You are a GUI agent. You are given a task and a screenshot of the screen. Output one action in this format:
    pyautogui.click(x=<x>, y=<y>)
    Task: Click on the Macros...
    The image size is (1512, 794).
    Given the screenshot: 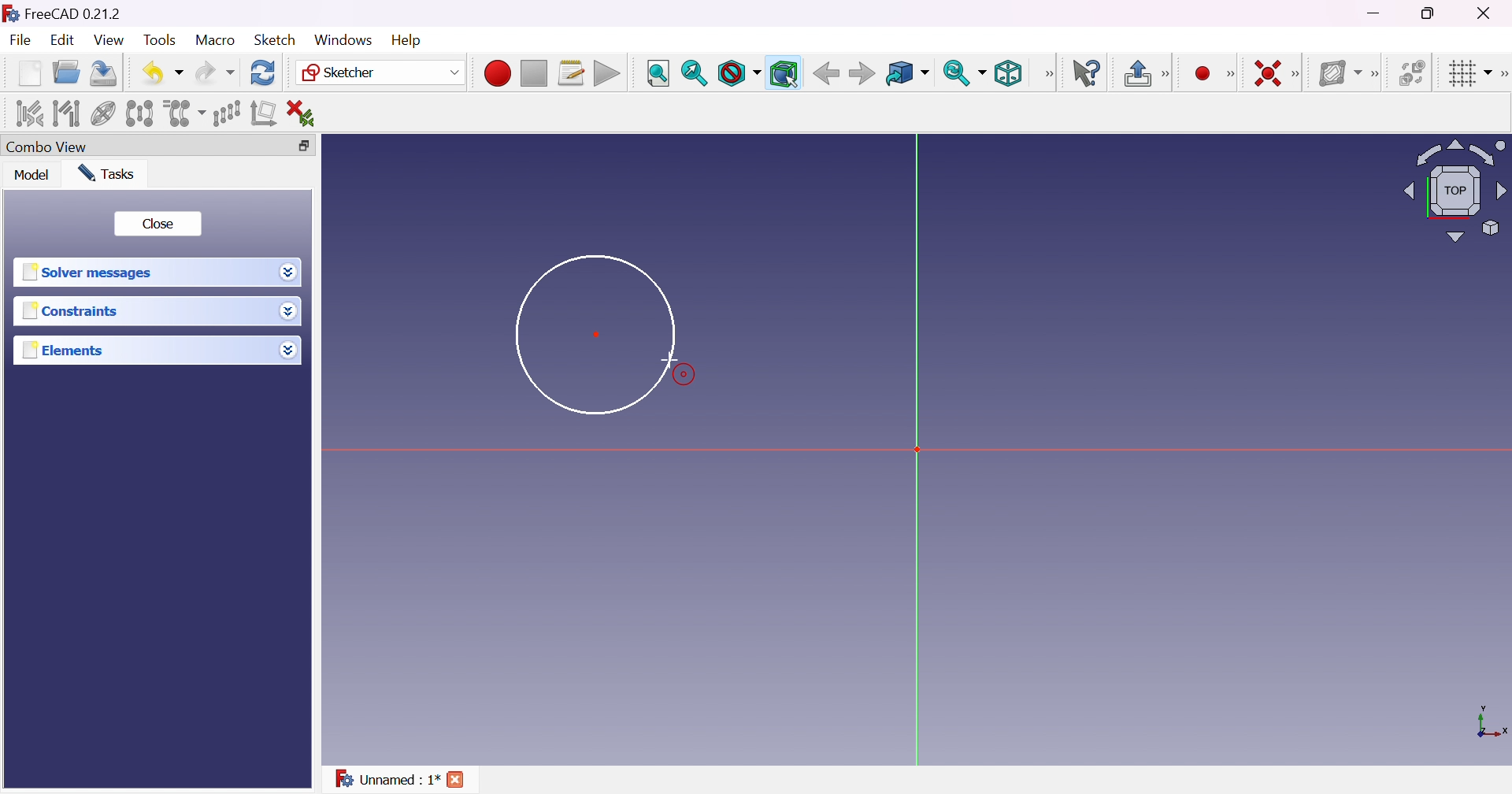 What is the action you would take?
    pyautogui.click(x=572, y=72)
    